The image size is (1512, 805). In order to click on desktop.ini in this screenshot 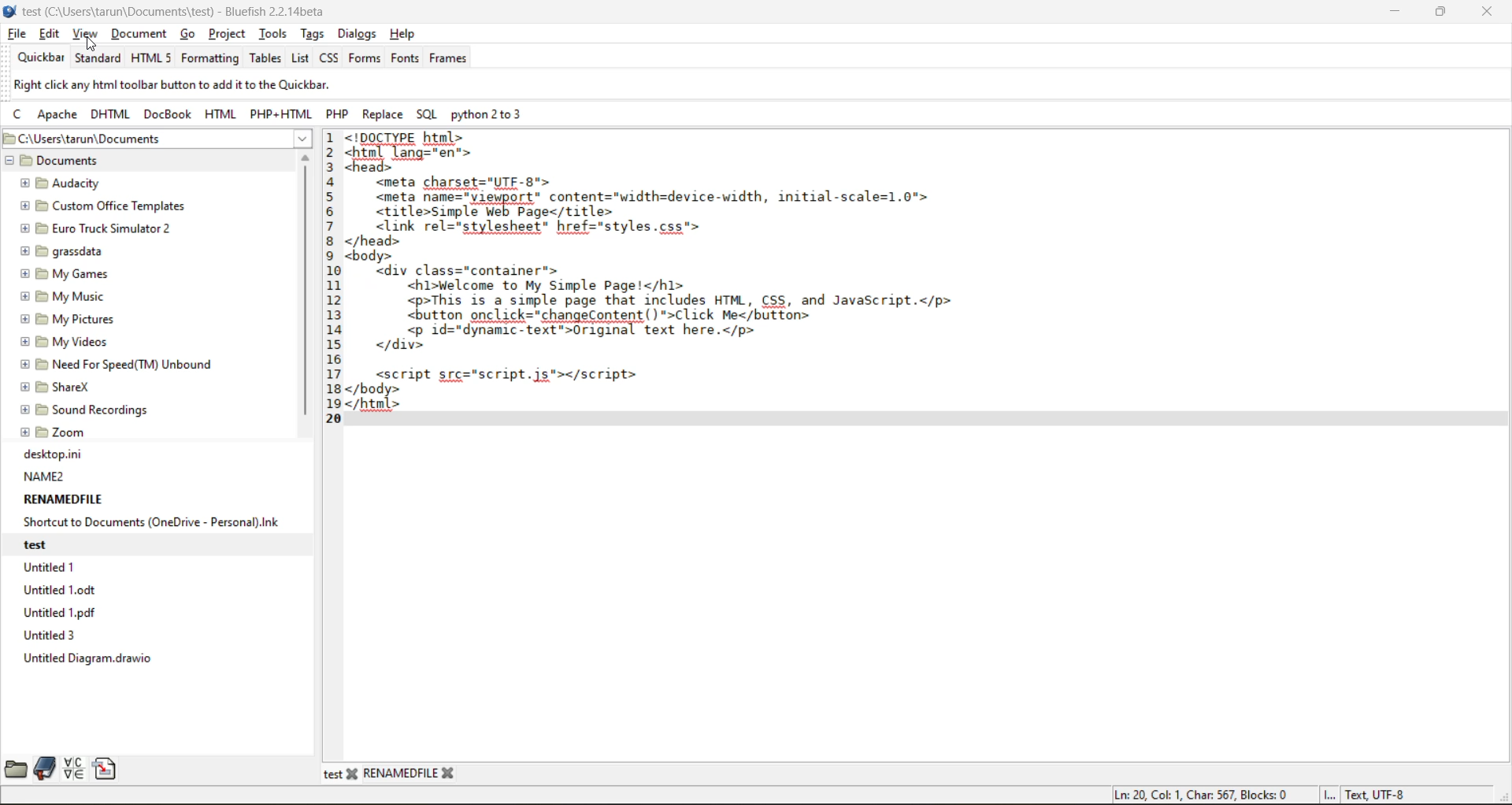, I will do `click(54, 454)`.